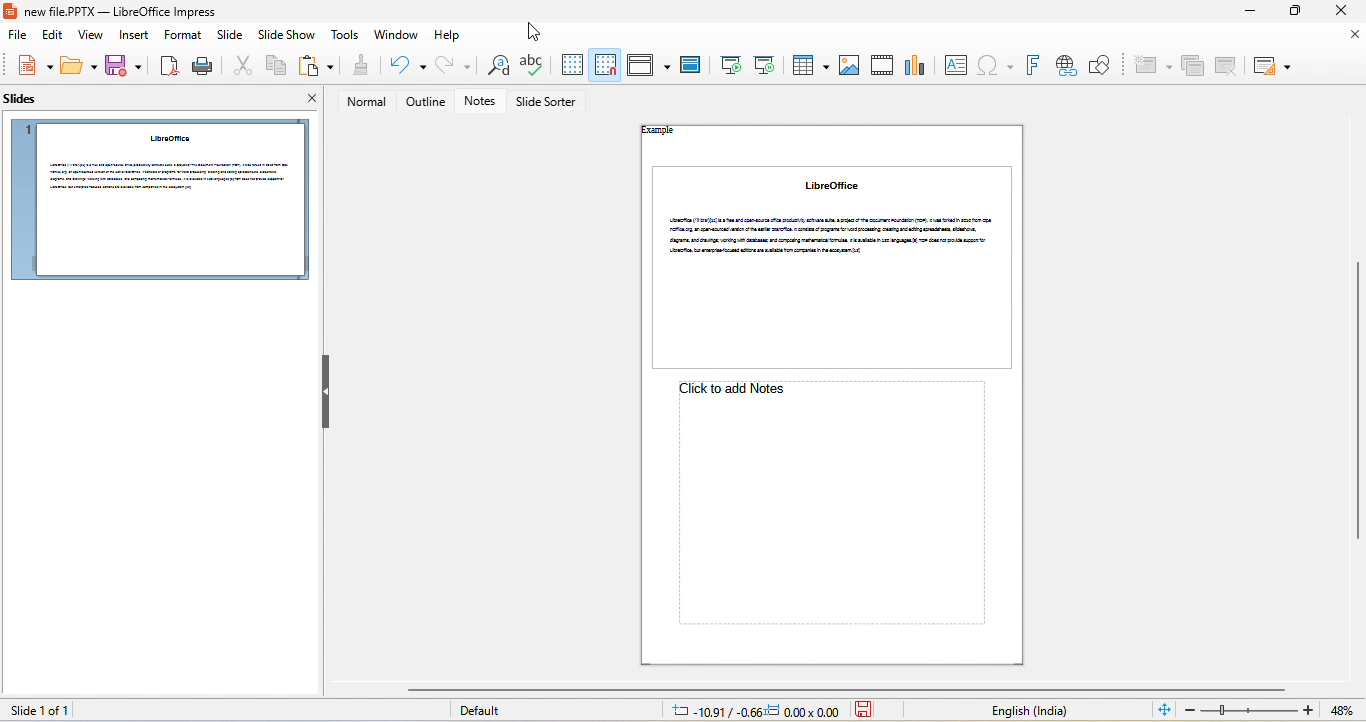 This screenshot has width=1366, height=722. Describe the element at coordinates (487, 712) in the screenshot. I see `default` at that location.